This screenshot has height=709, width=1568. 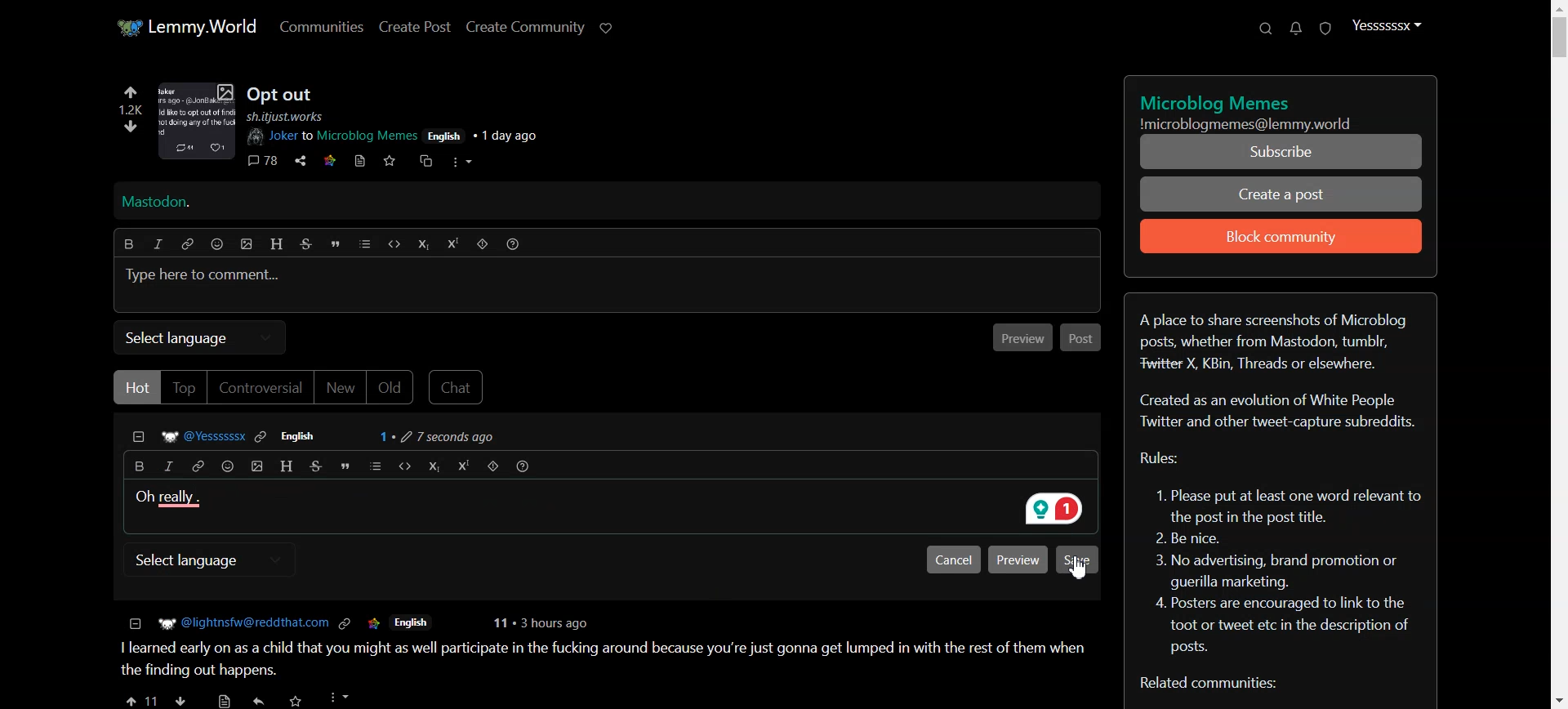 I want to click on Search, so click(x=1267, y=28).